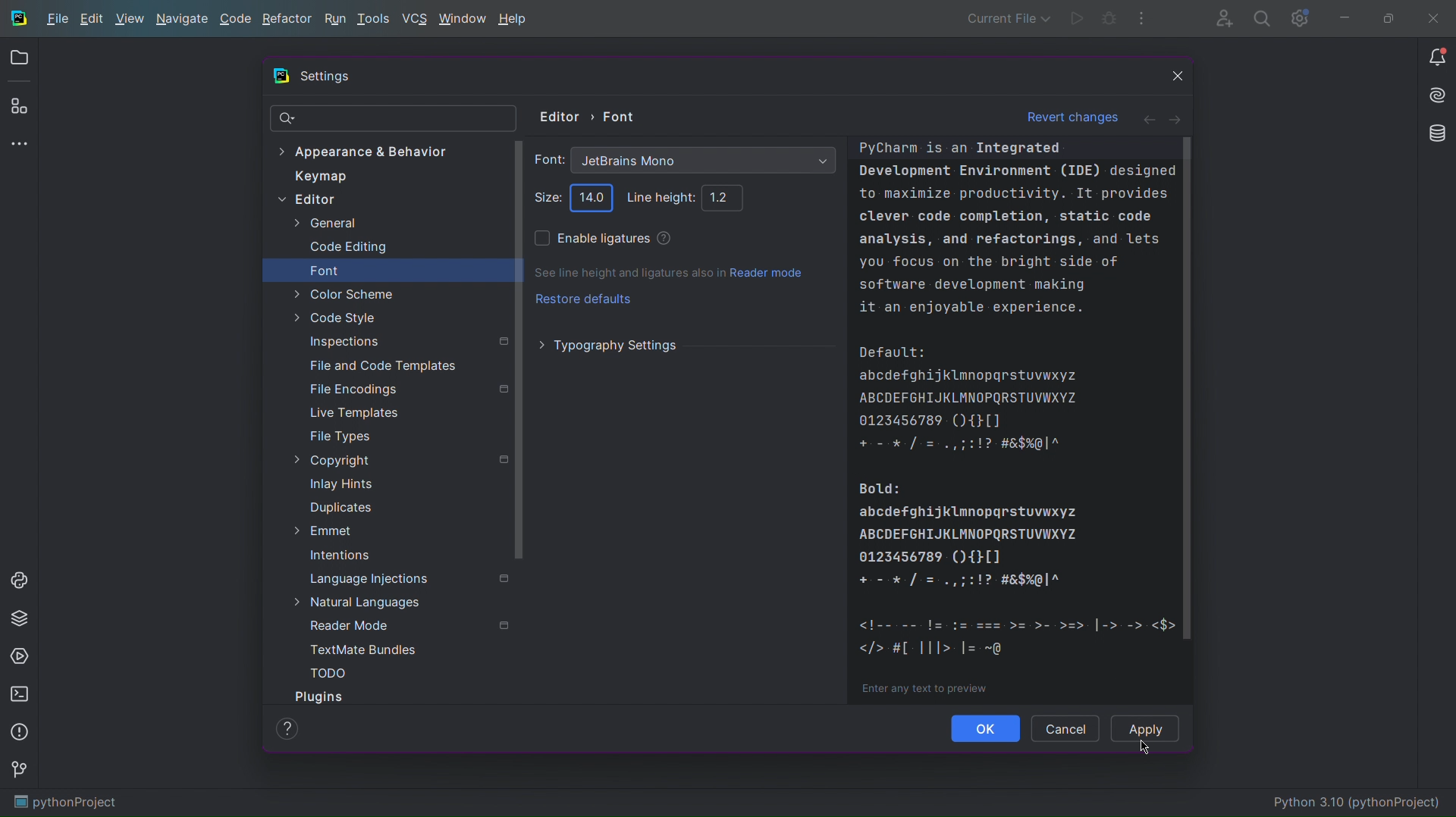 This screenshot has width=1456, height=817. What do you see at coordinates (183, 21) in the screenshot?
I see `Navigate` at bounding box center [183, 21].